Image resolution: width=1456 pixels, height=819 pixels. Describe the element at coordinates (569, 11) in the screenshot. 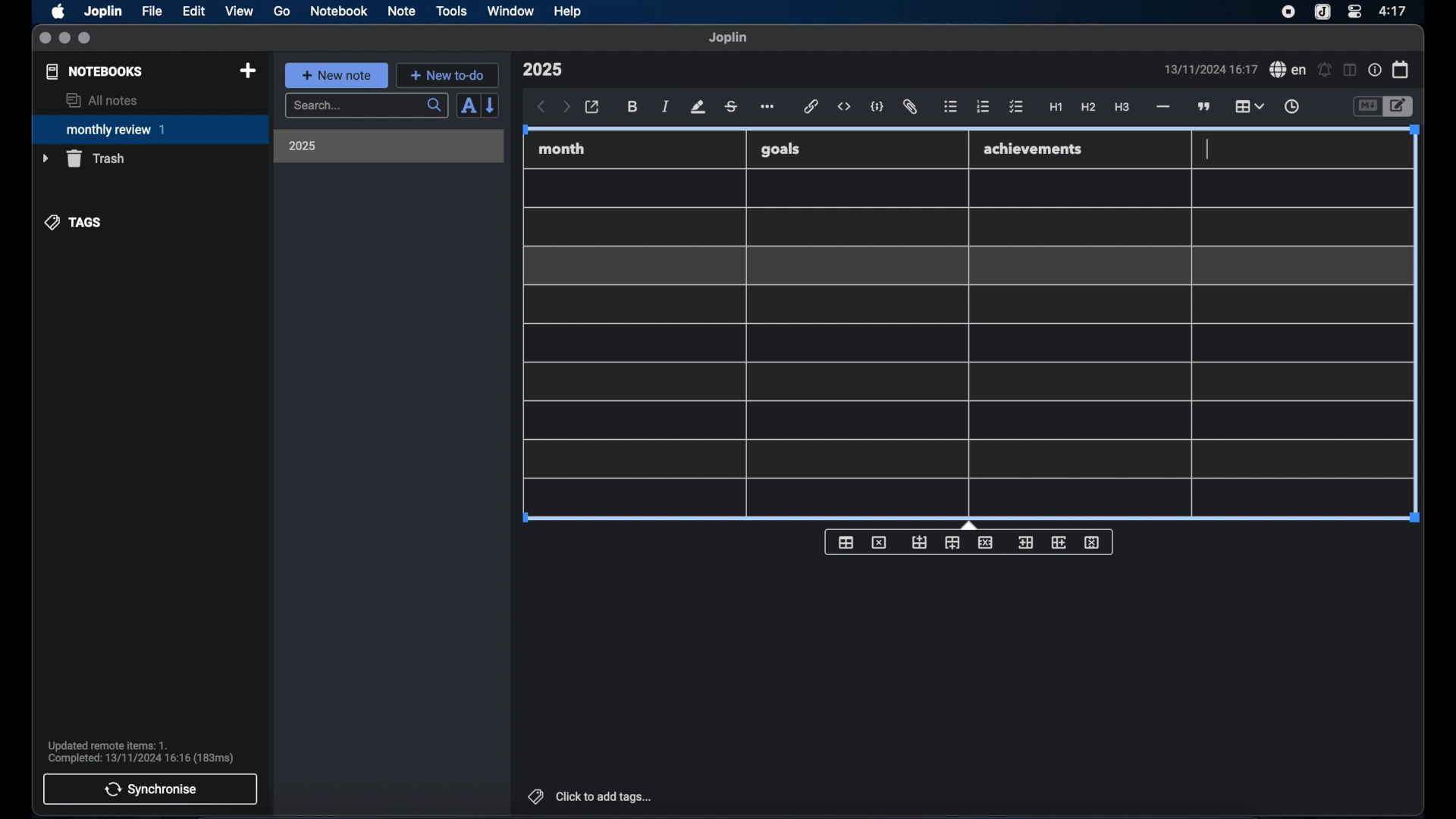

I see `help` at that location.